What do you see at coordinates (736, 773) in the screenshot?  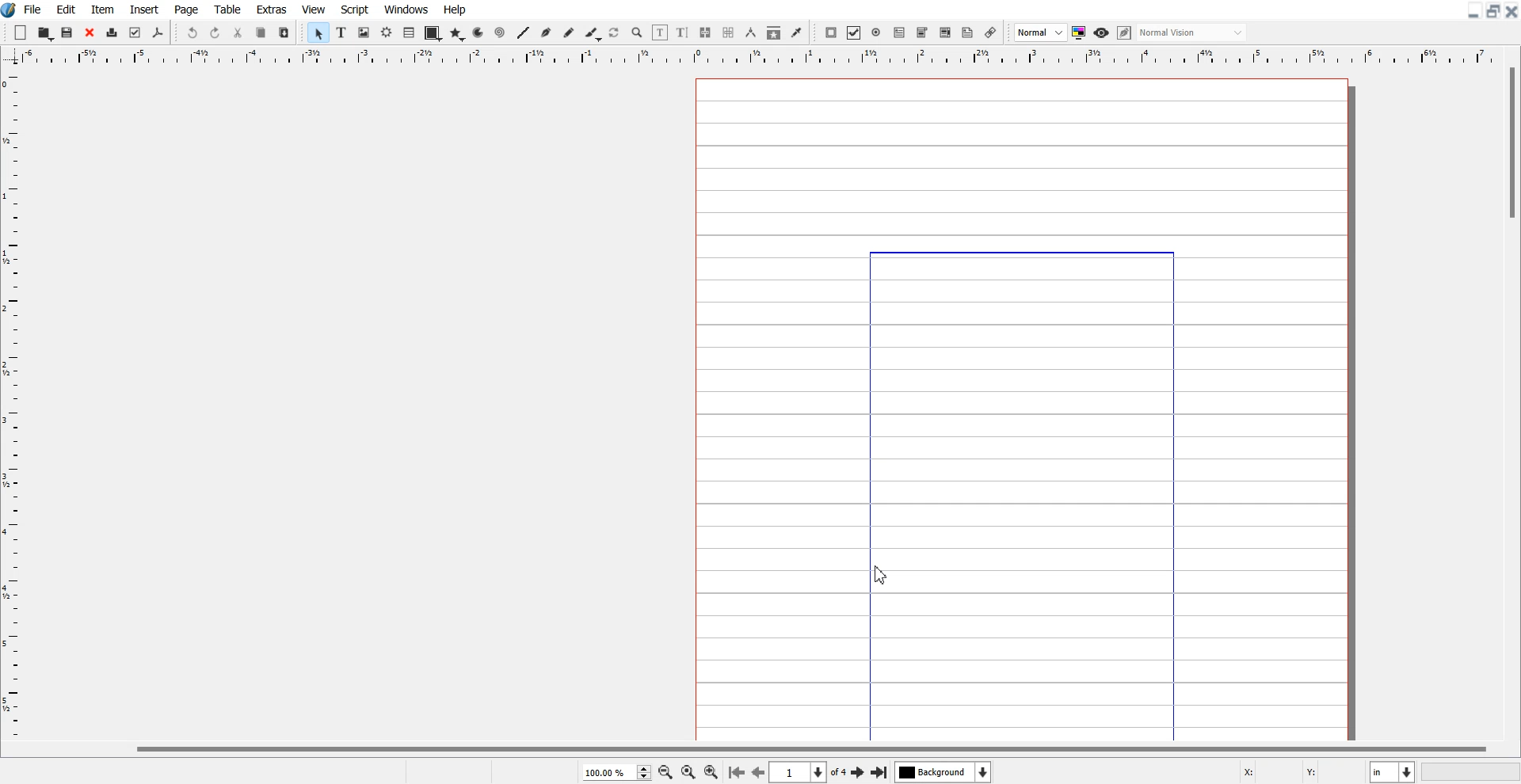 I see `Go to the first page` at bounding box center [736, 773].